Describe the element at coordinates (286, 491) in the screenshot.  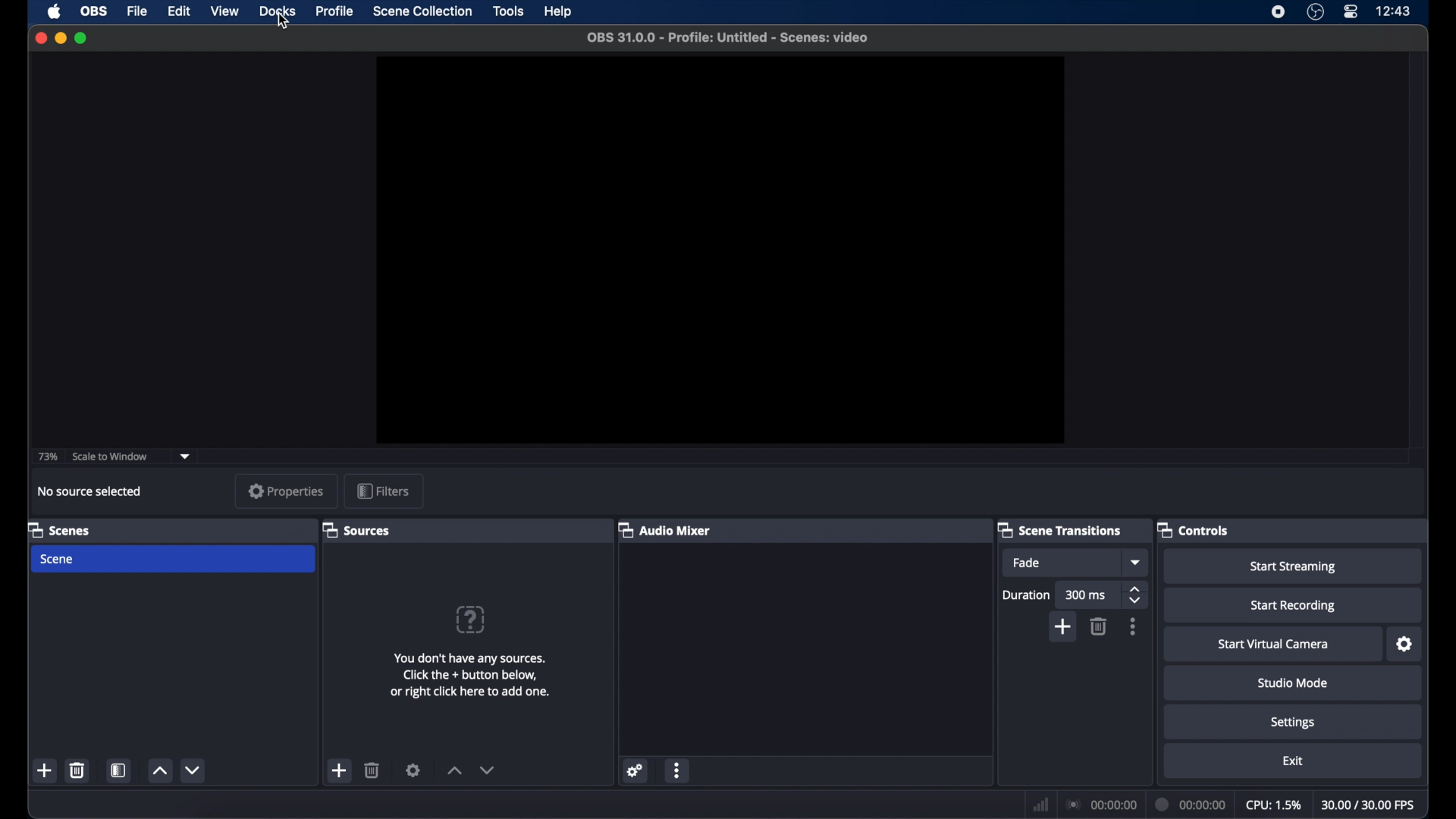
I see `properties` at that location.